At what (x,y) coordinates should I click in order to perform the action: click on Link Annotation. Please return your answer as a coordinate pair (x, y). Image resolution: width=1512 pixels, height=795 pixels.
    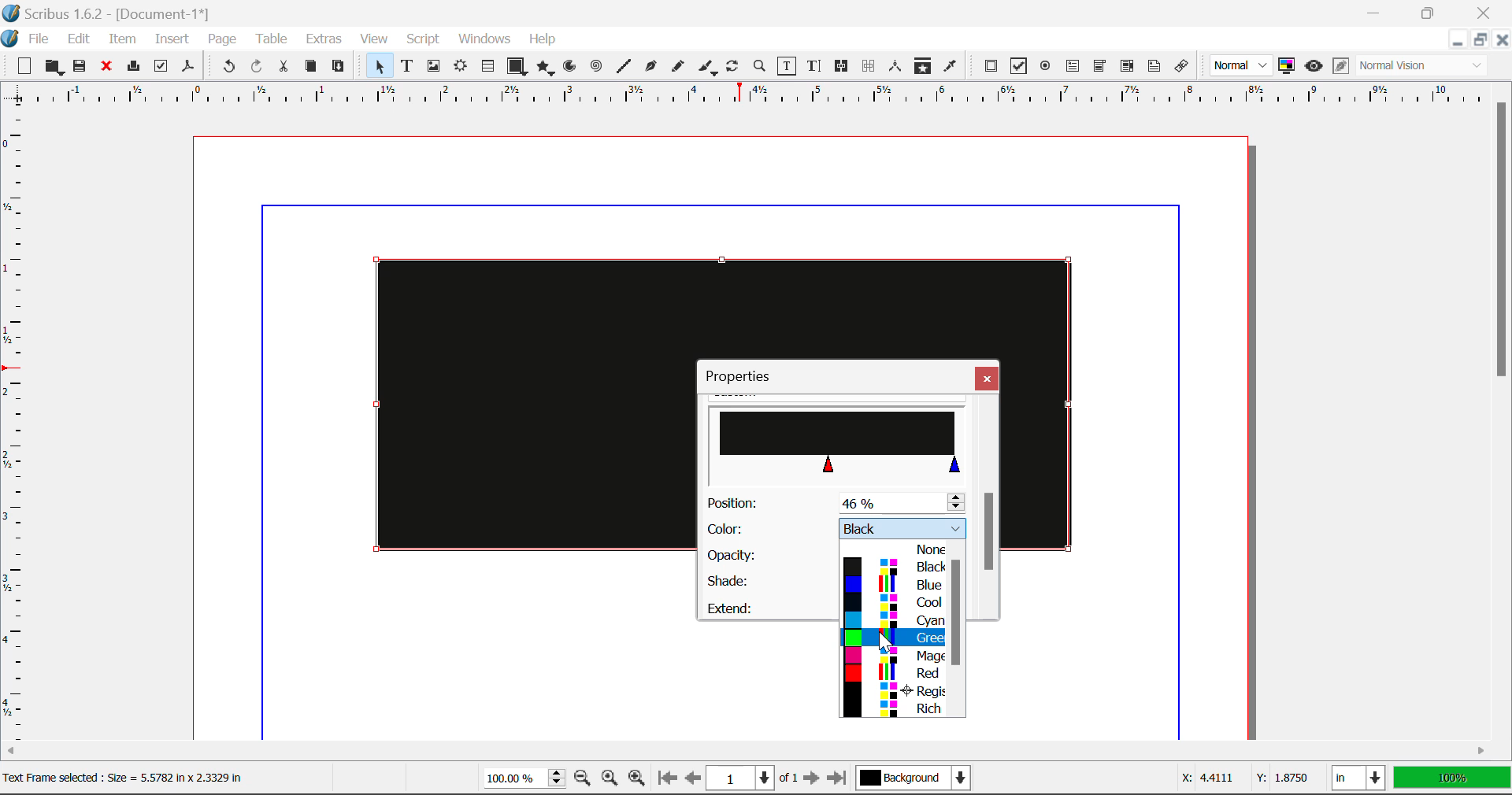
    Looking at the image, I should click on (1185, 67).